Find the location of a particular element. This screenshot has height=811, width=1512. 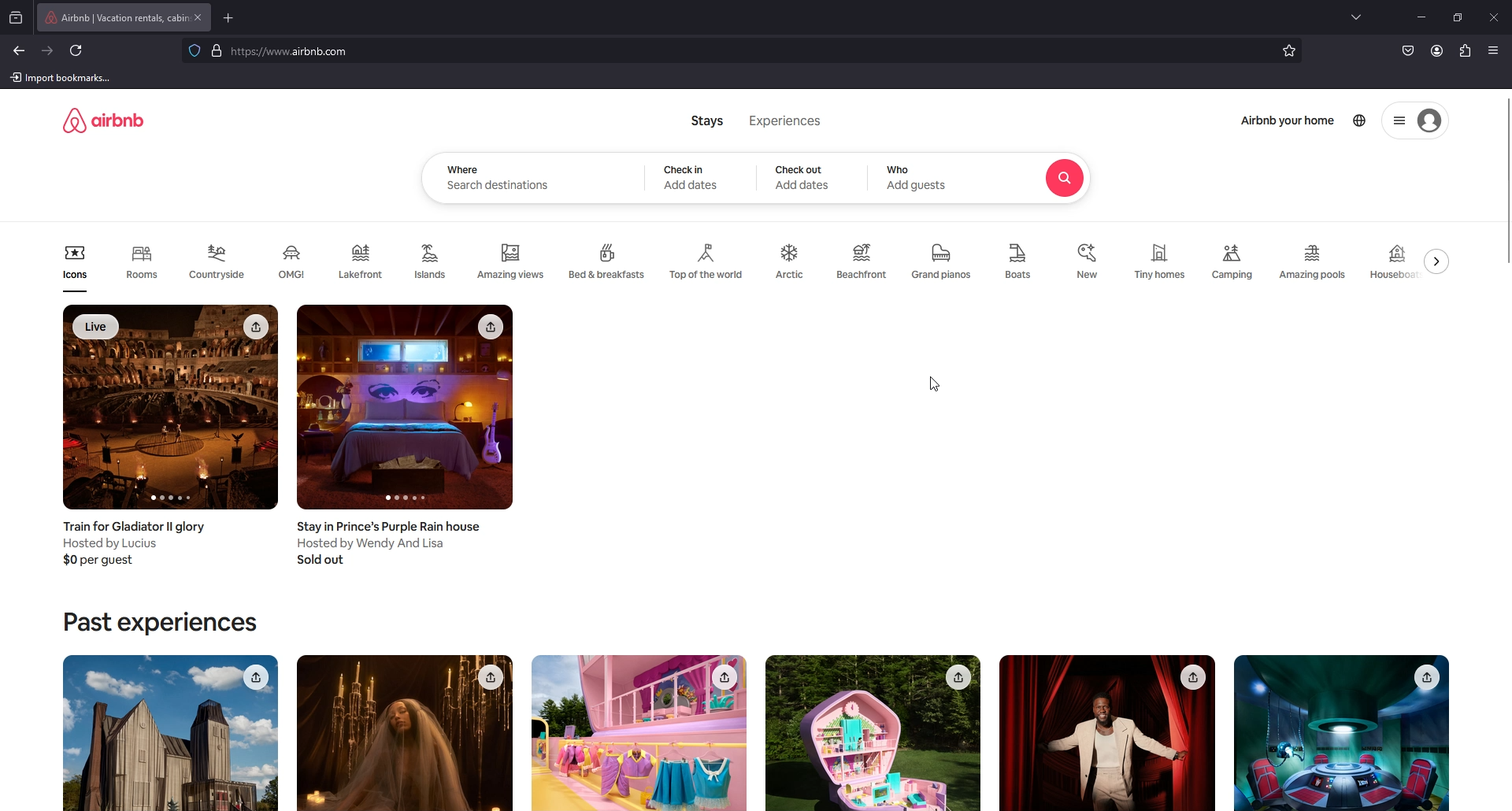

arctic is located at coordinates (791, 262).